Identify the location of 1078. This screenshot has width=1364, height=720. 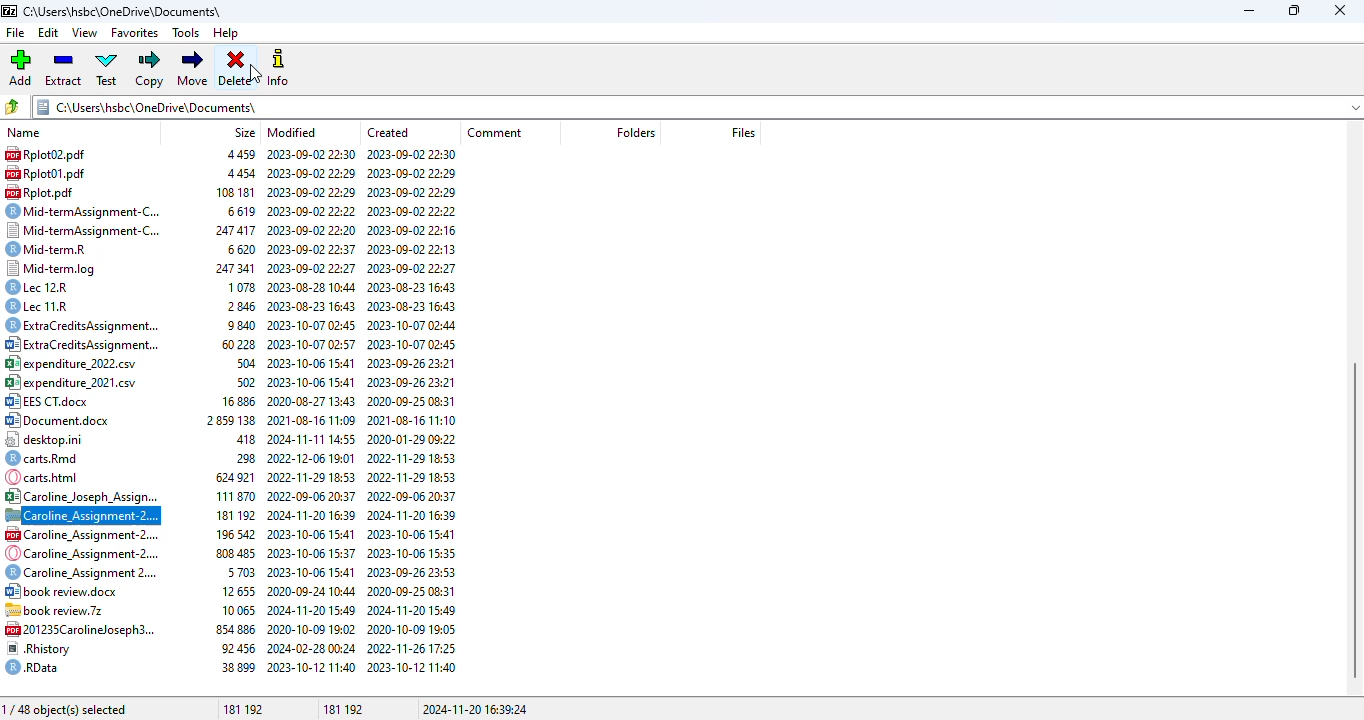
(242, 286).